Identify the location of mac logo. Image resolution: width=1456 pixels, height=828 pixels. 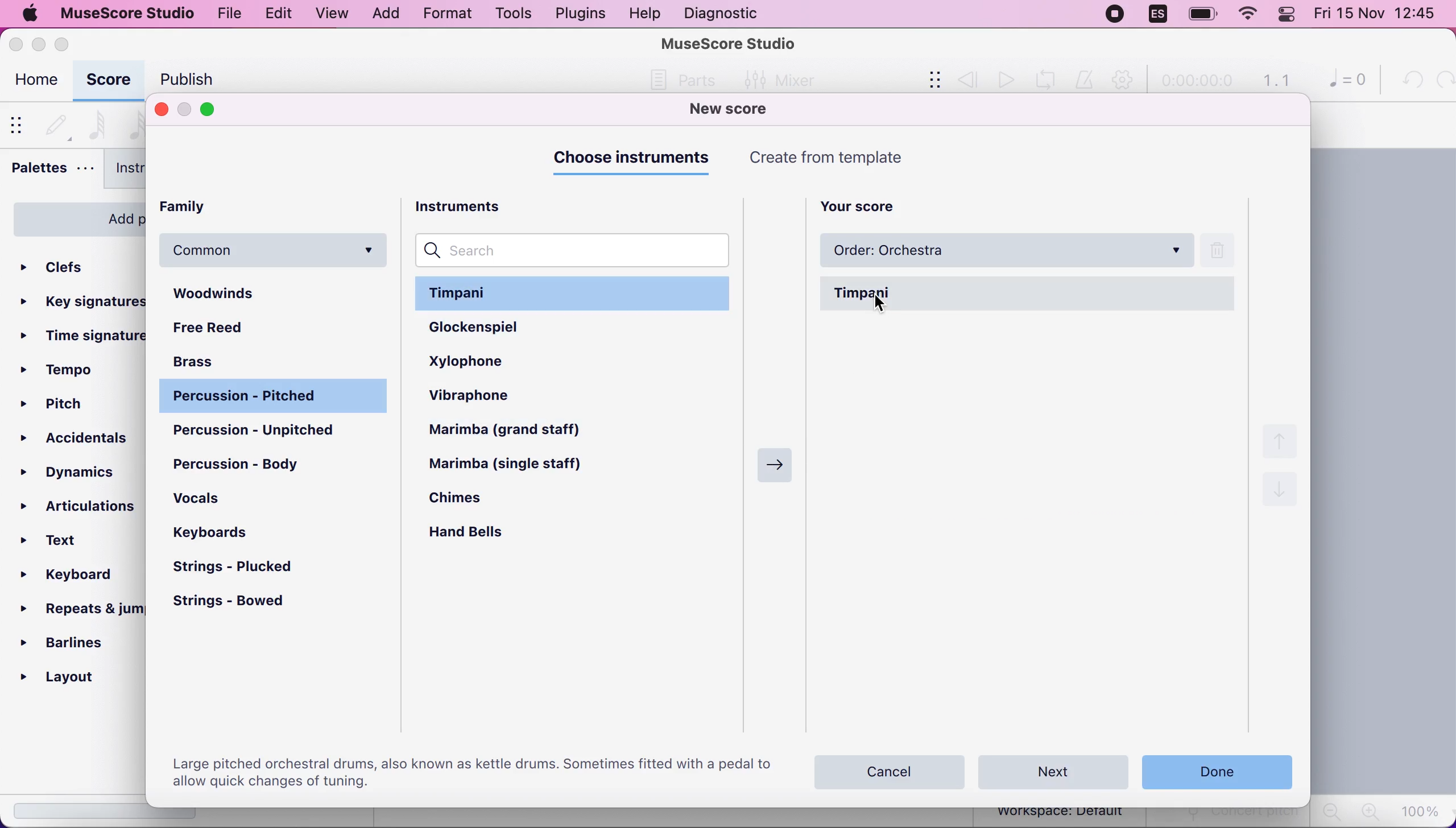
(30, 15).